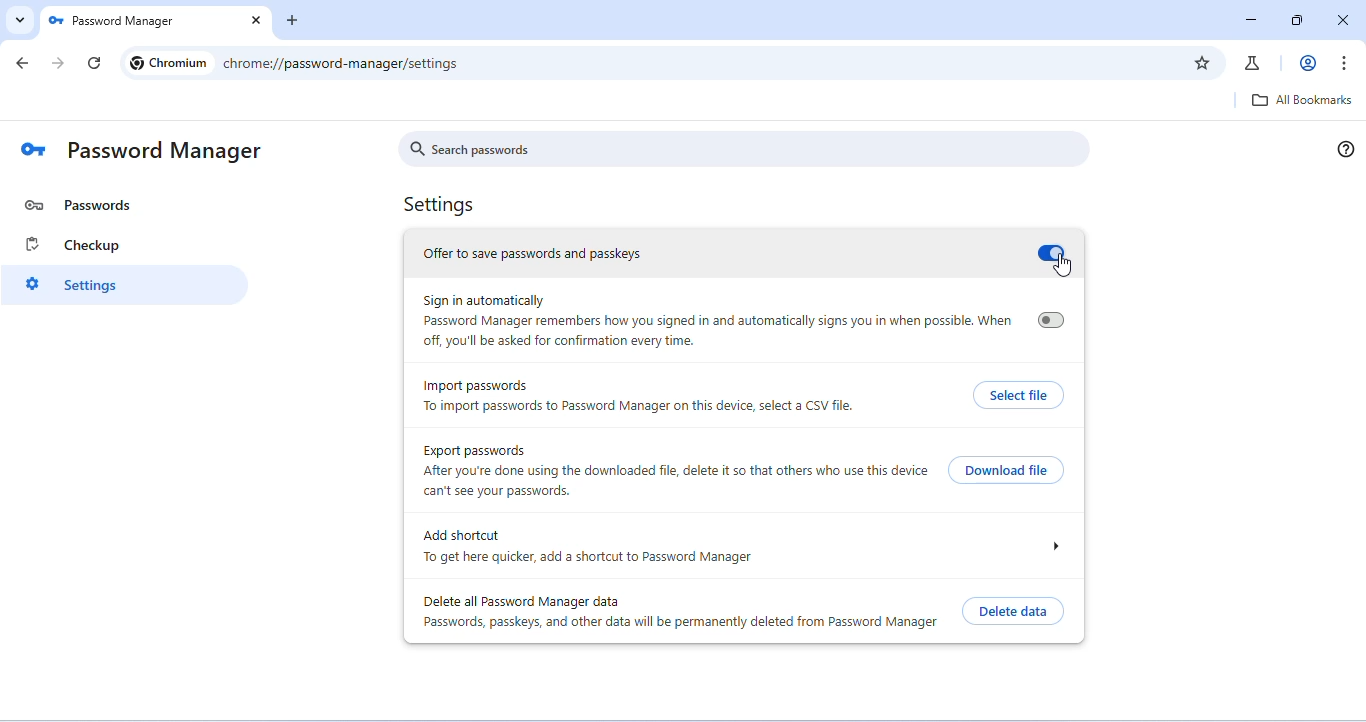  I want to click on close tab, so click(254, 20).